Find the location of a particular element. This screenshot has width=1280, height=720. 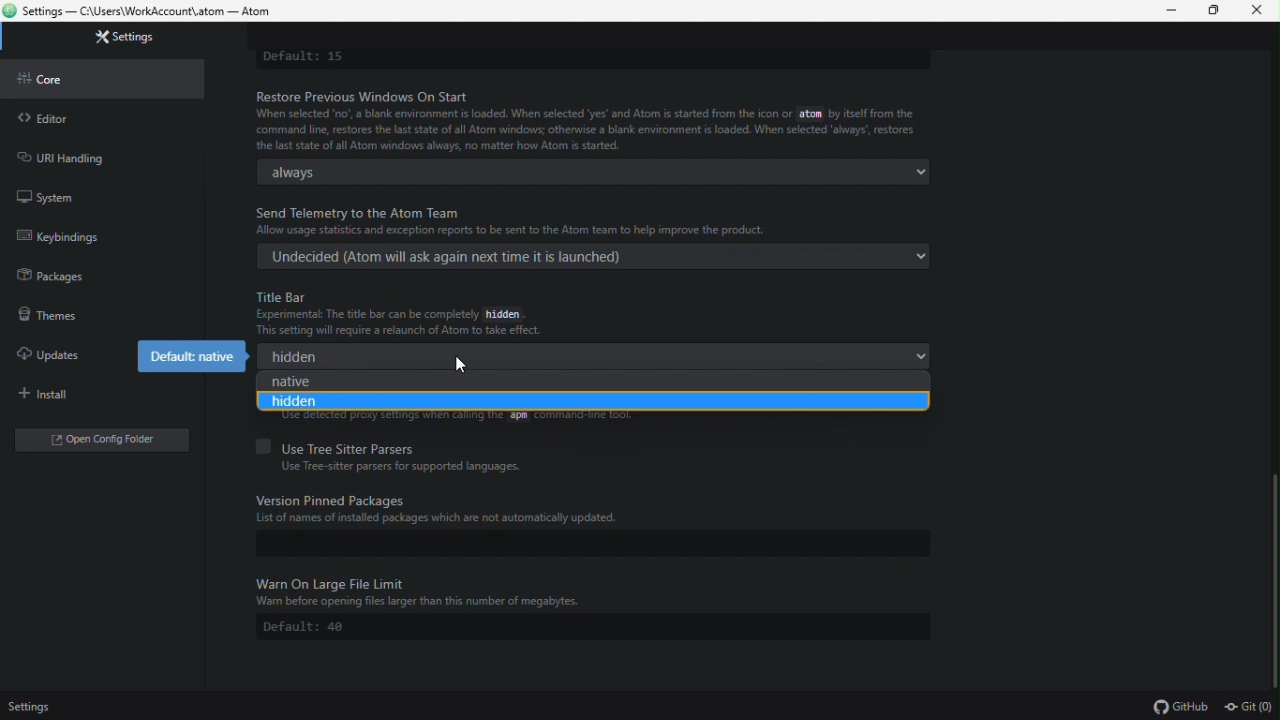

git is located at coordinates (1250, 709).